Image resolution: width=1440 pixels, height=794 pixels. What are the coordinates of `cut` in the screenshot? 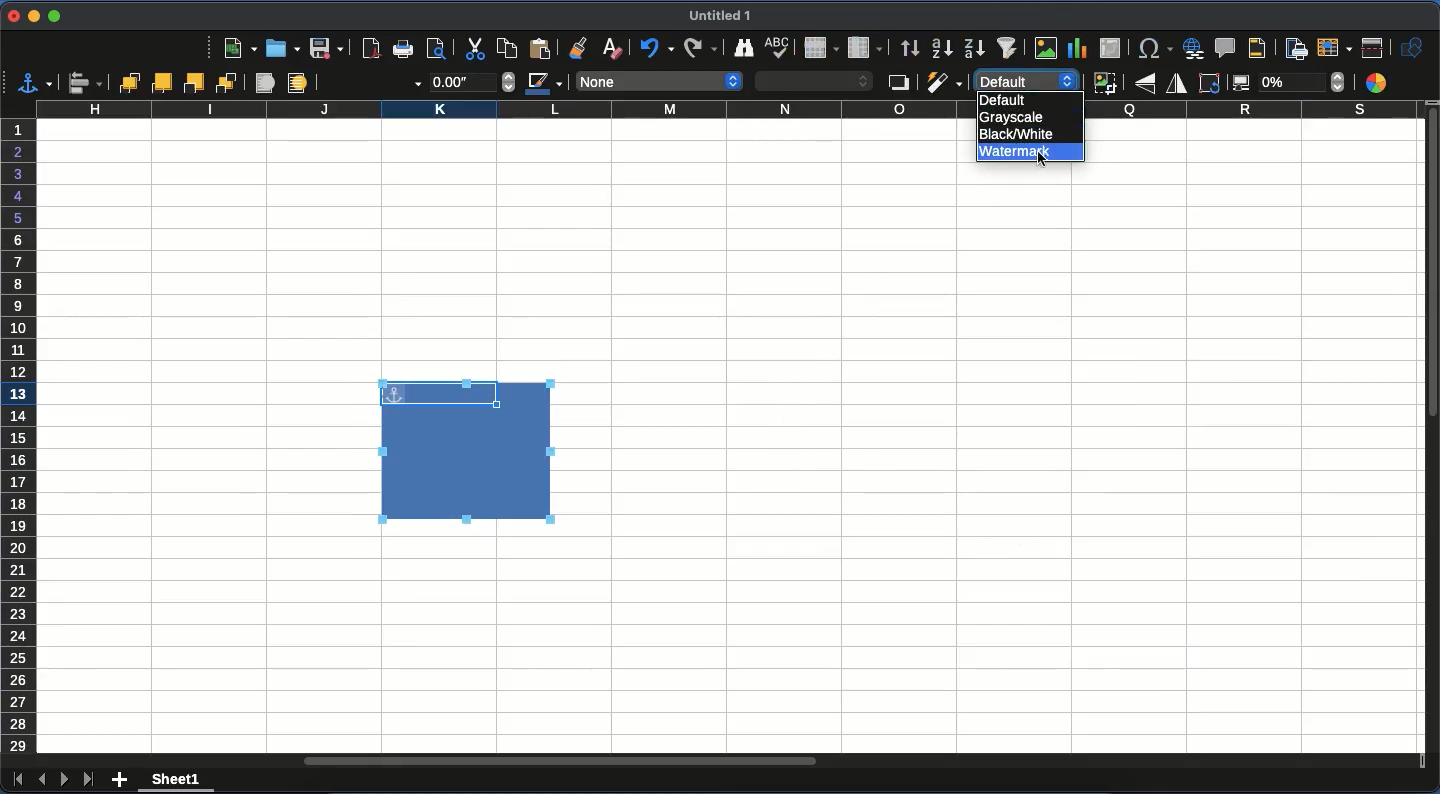 It's located at (472, 50).